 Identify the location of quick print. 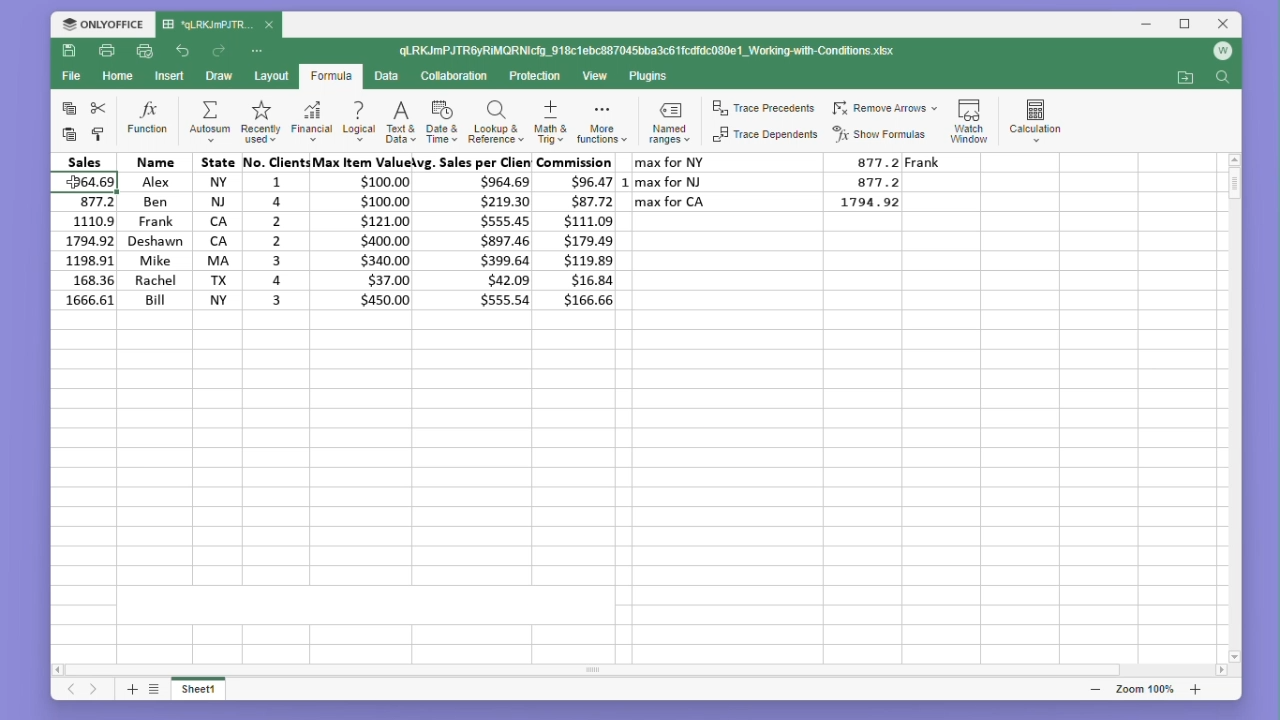
(142, 50).